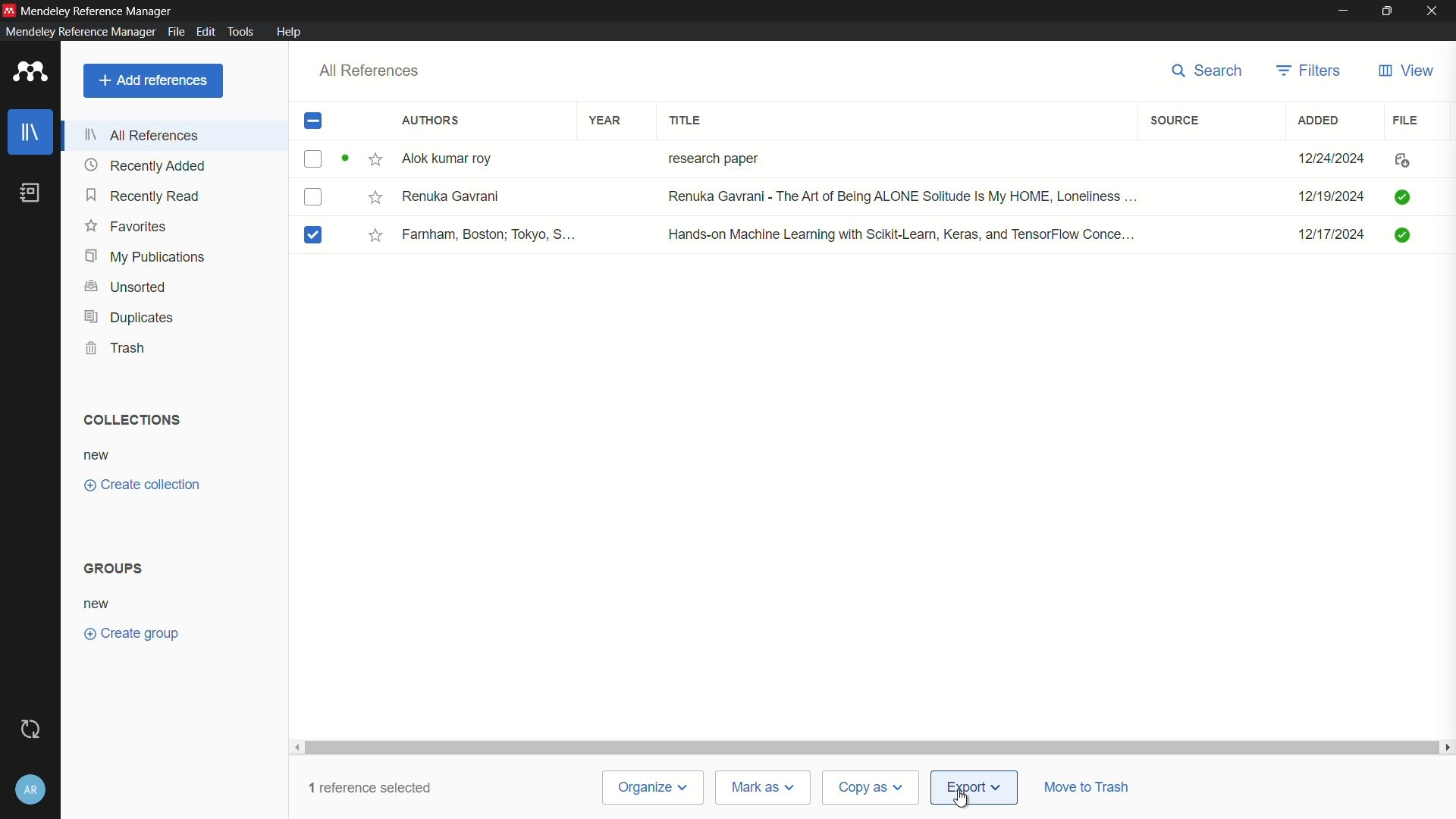  Describe the element at coordinates (177, 33) in the screenshot. I see `file menu` at that location.